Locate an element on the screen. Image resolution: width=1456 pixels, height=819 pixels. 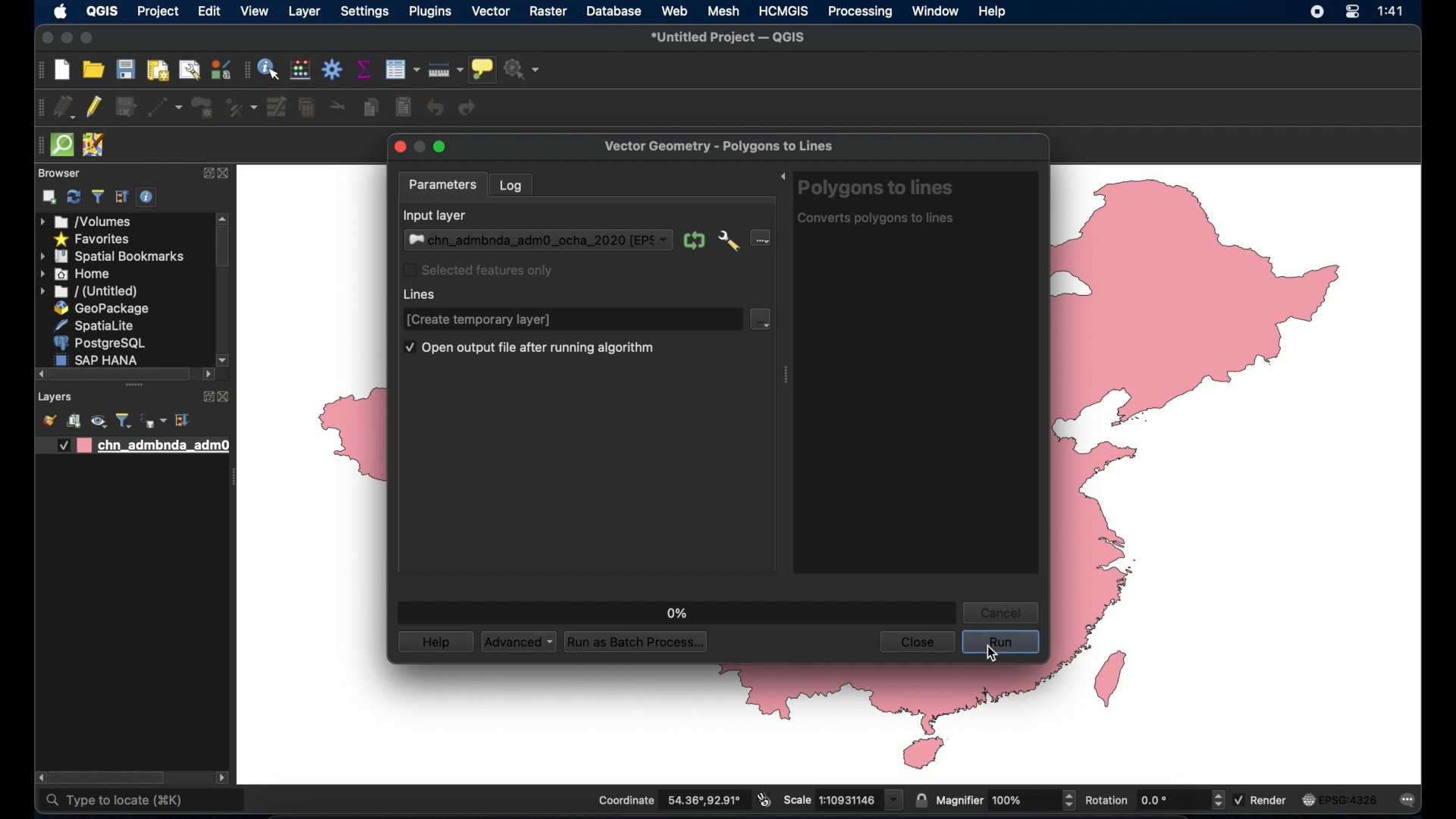
add polygon is located at coordinates (202, 108).